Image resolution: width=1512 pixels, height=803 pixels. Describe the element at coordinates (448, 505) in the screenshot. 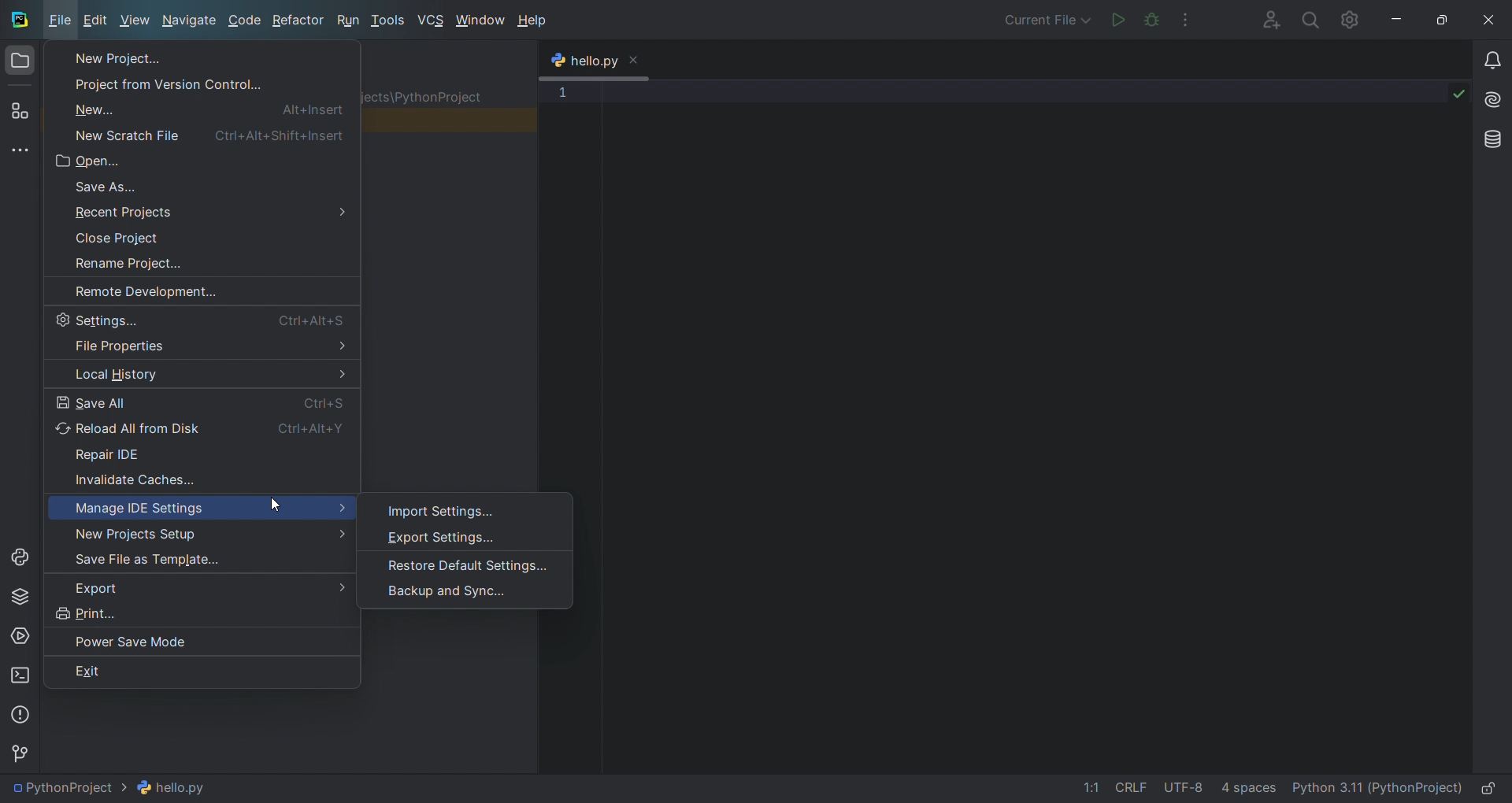

I see `import settings` at that location.